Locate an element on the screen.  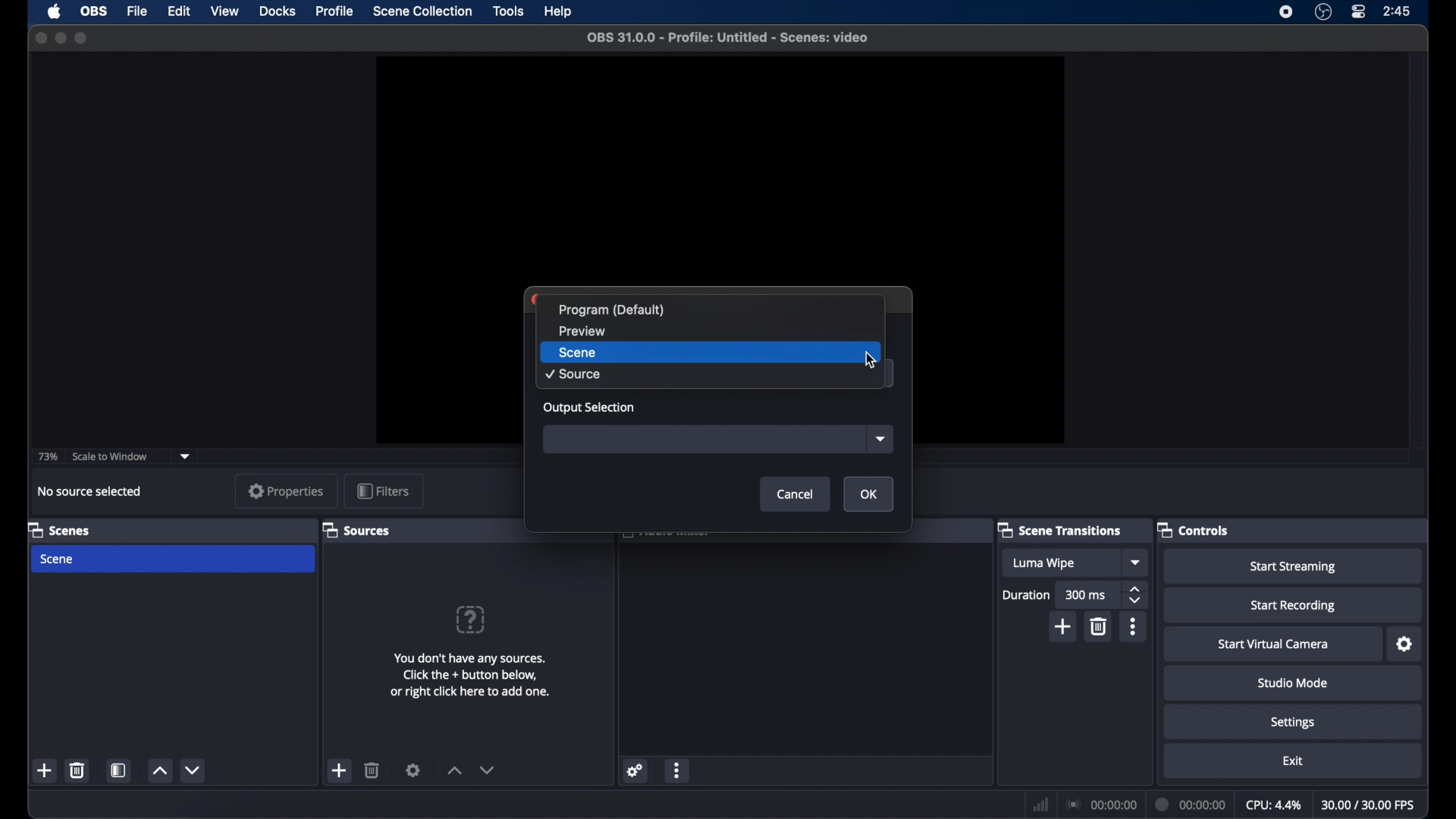
stepper buttons is located at coordinates (1136, 595).